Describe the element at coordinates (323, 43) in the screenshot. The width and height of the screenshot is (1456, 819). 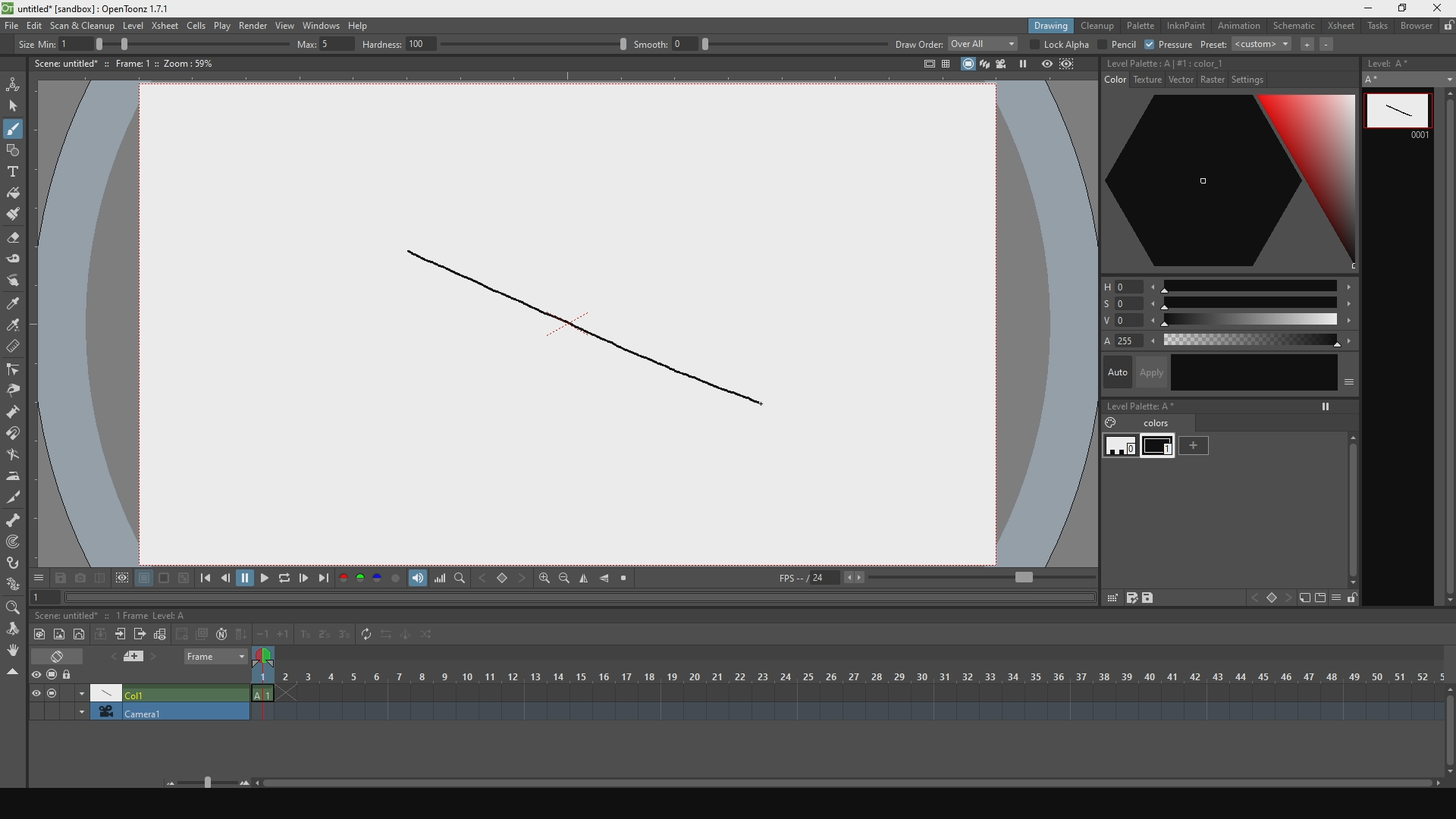
I see `max` at that location.